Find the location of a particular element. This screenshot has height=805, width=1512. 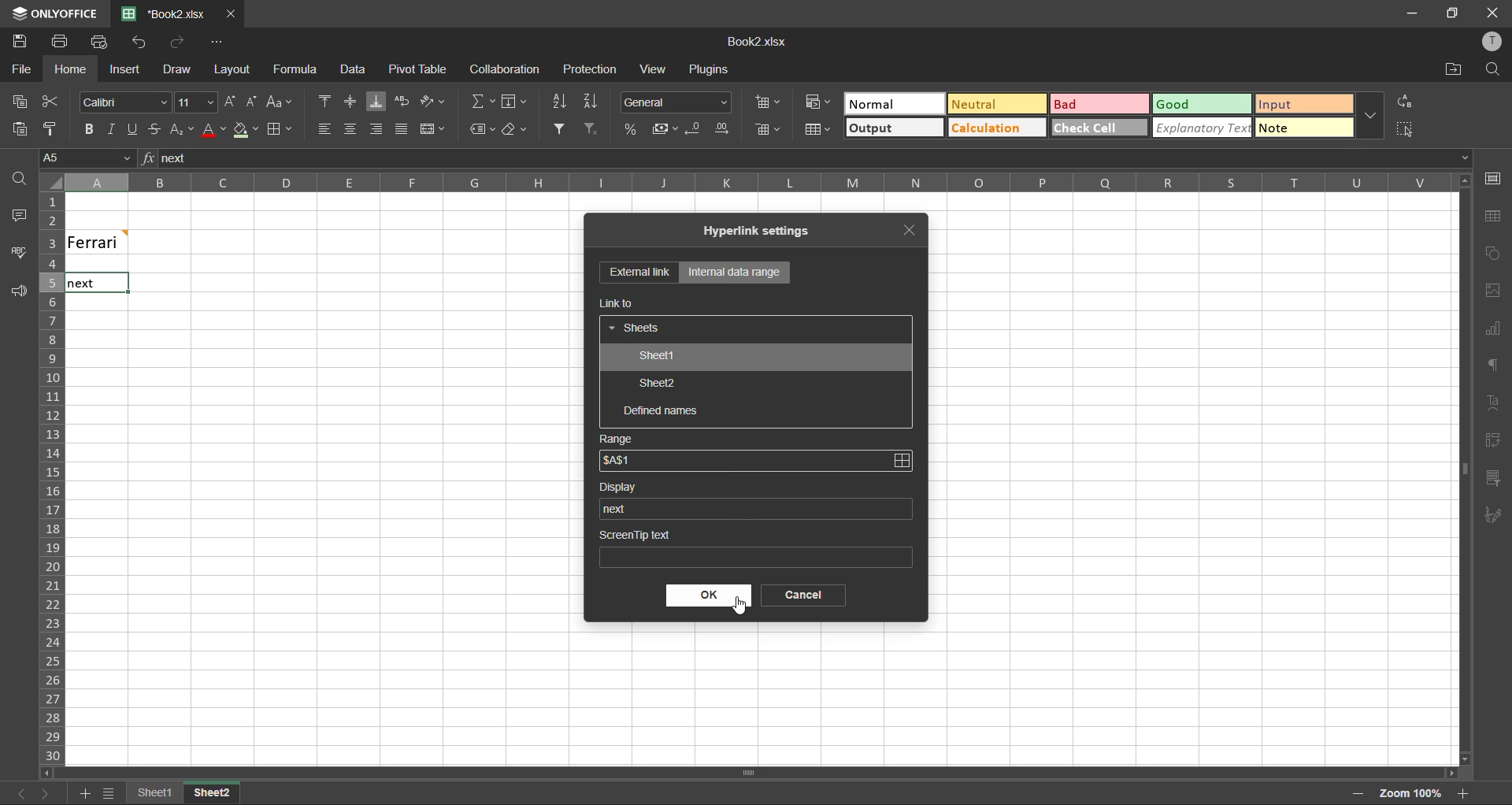

fields is located at coordinates (514, 103).